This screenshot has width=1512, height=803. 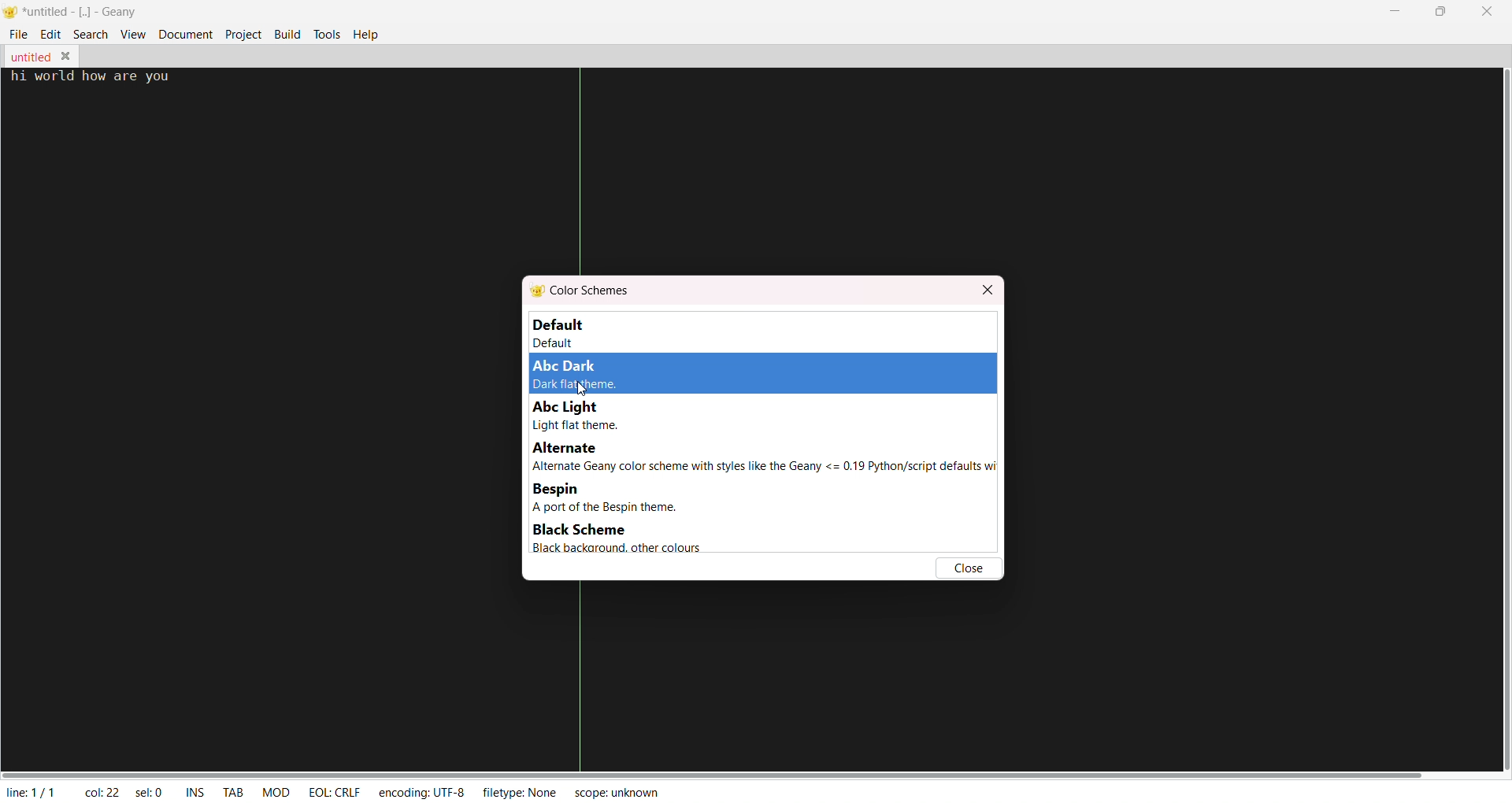 I want to click on title, so click(x=83, y=13).